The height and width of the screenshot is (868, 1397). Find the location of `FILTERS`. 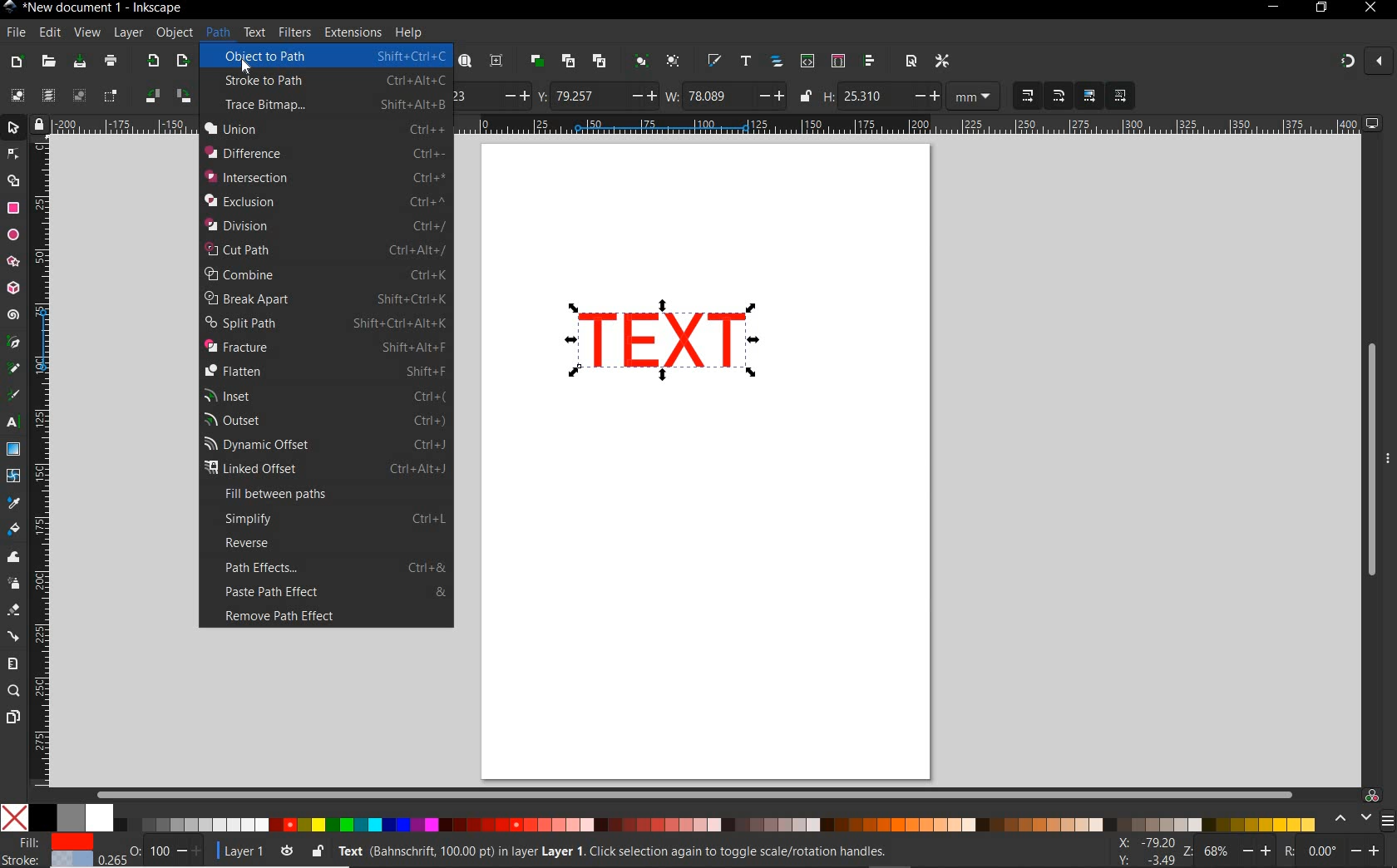

FILTERS is located at coordinates (294, 31).